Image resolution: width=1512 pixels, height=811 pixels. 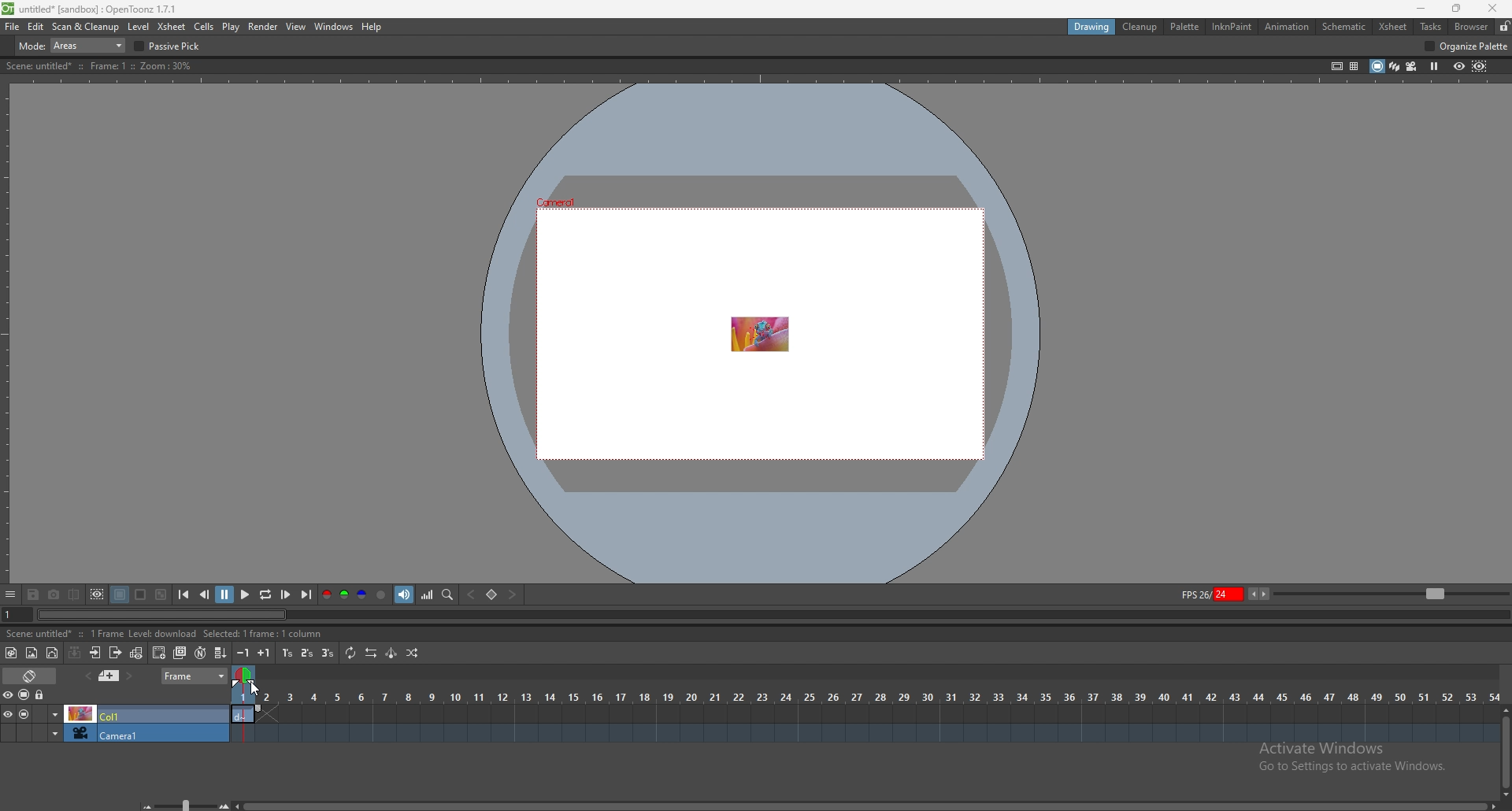 I want to click on pause, so click(x=226, y=593).